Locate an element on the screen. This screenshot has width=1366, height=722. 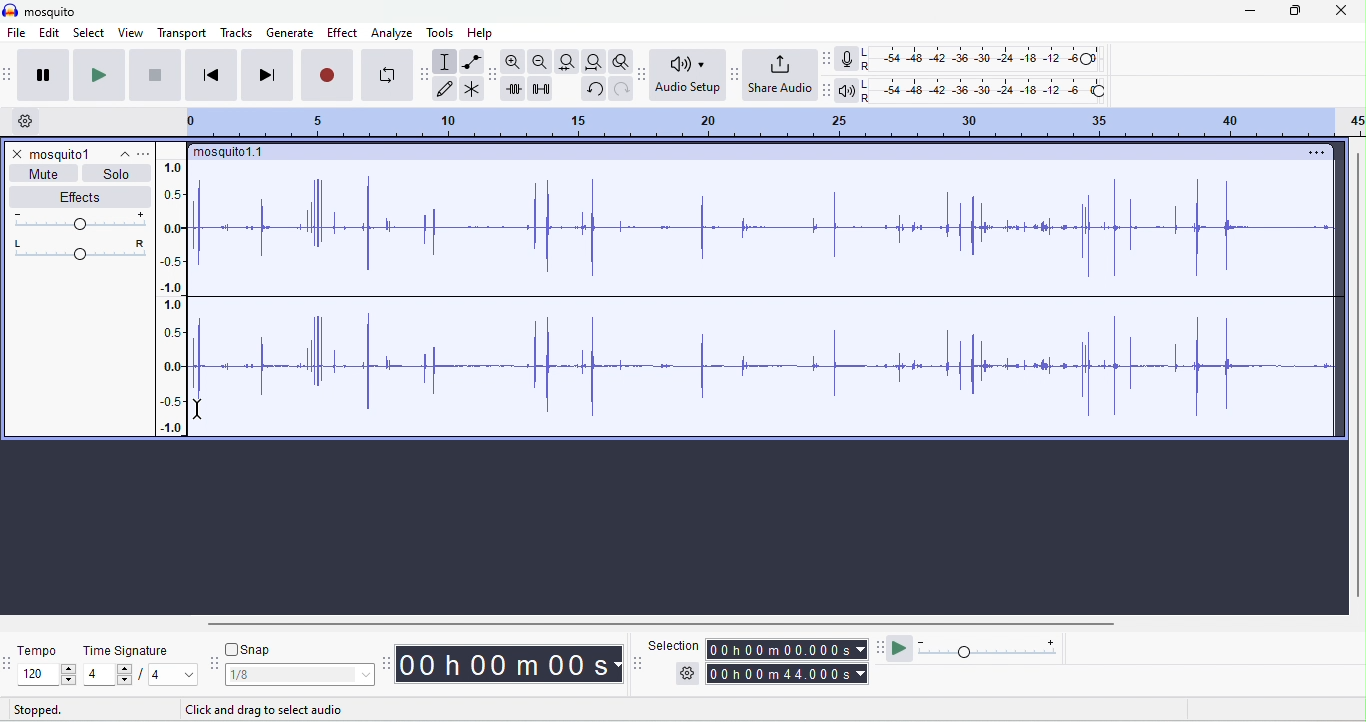
options is located at coordinates (688, 671).